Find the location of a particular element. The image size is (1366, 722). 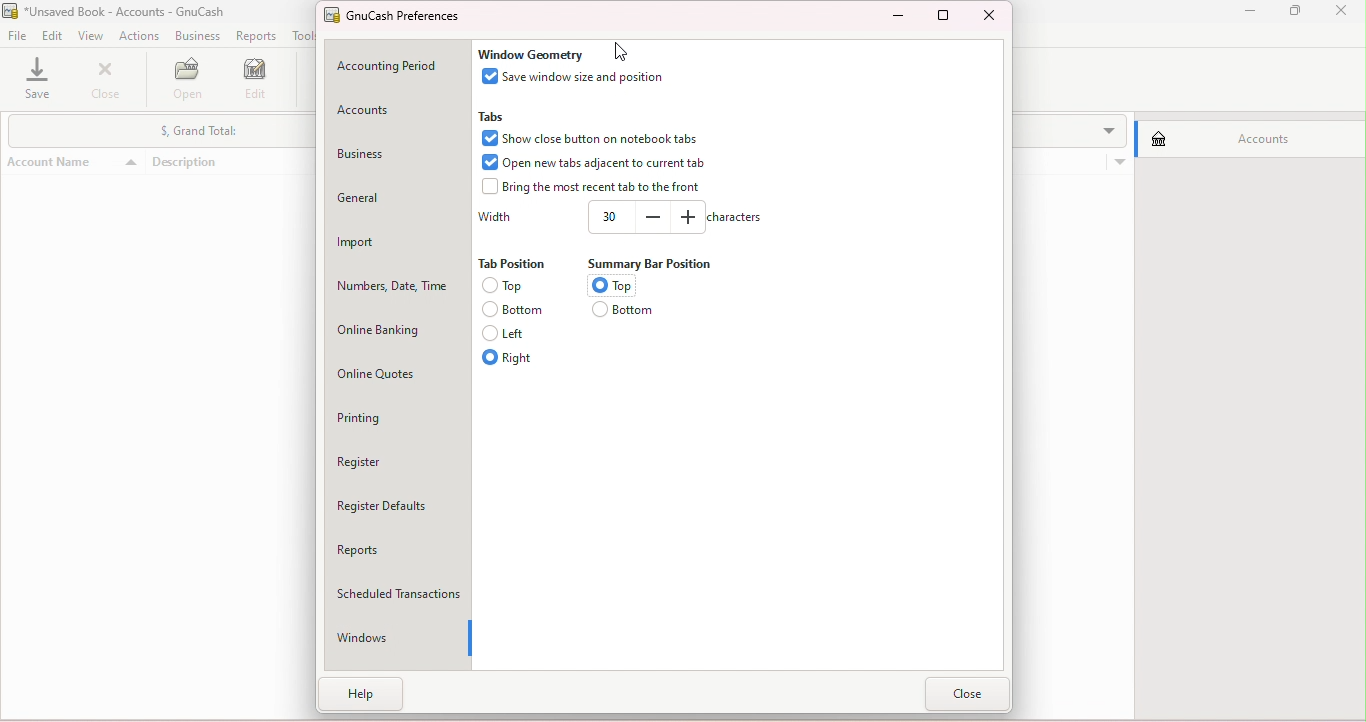

Minimize is located at coordinates (894, 17).